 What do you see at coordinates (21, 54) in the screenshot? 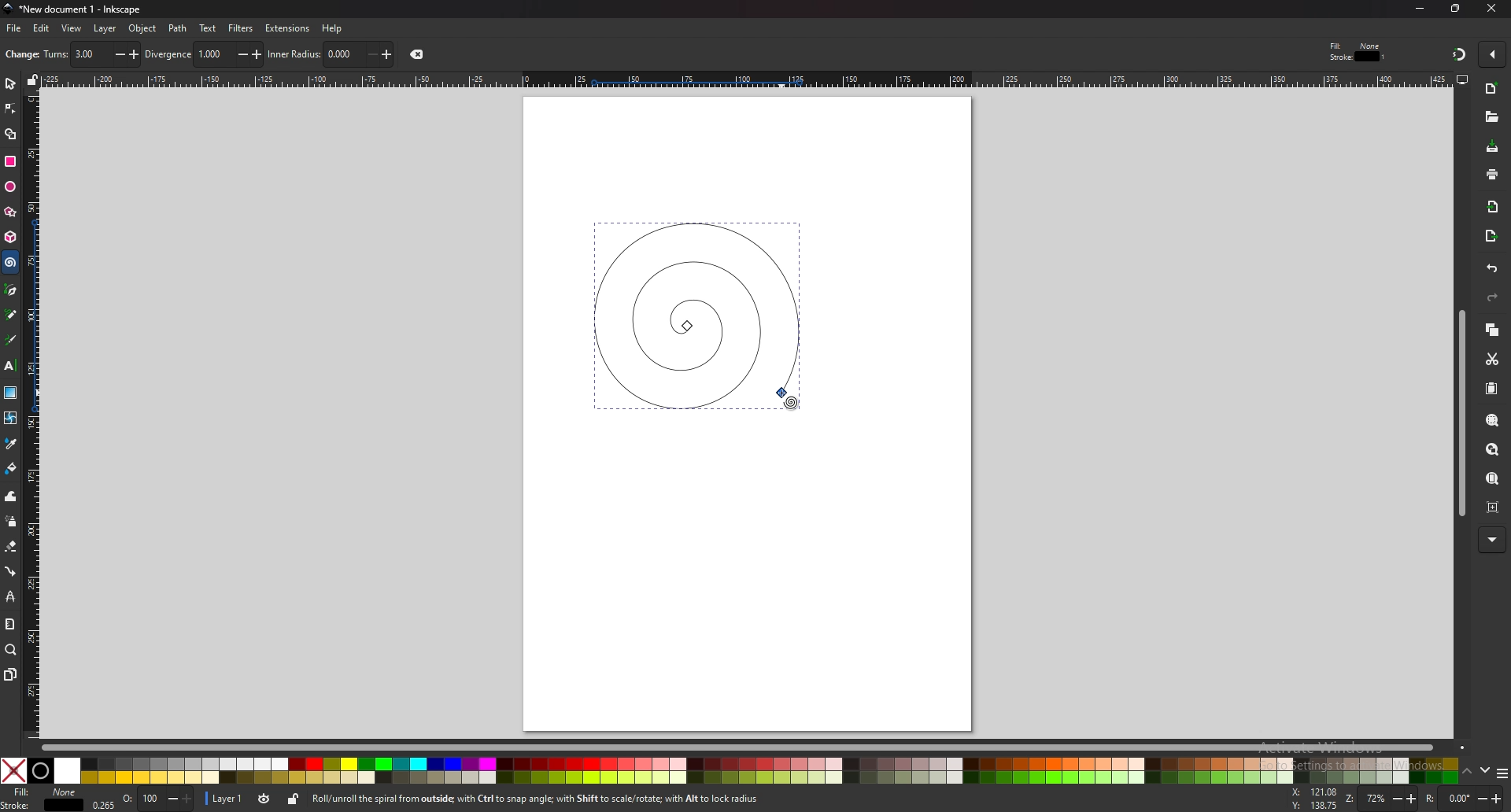
I see `Change:` at bounding box center [21, 54].